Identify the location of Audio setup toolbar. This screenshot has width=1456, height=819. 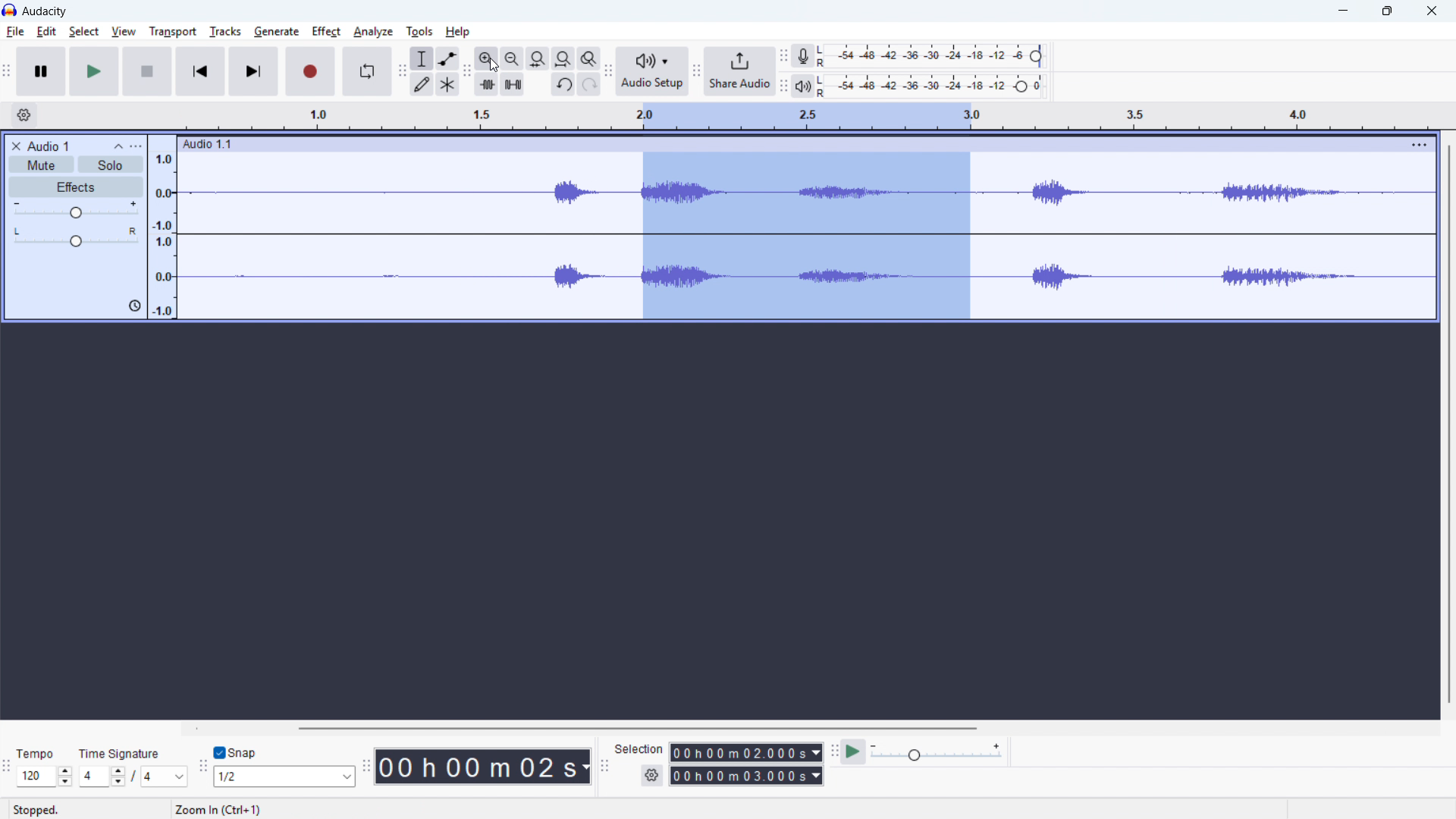
(607, 72).